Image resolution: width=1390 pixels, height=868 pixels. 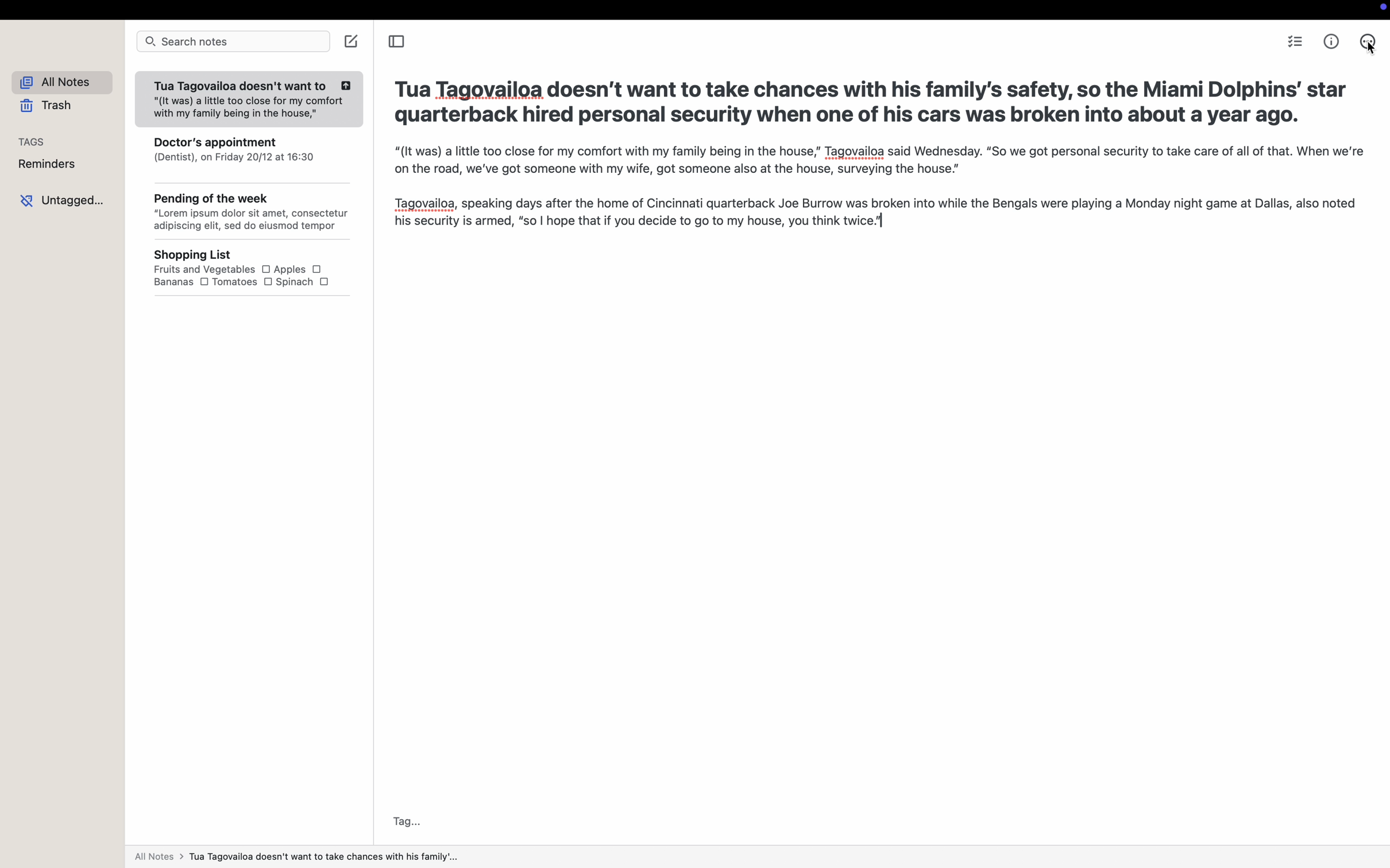 I want to click on trash, so click(x=45, y=107).